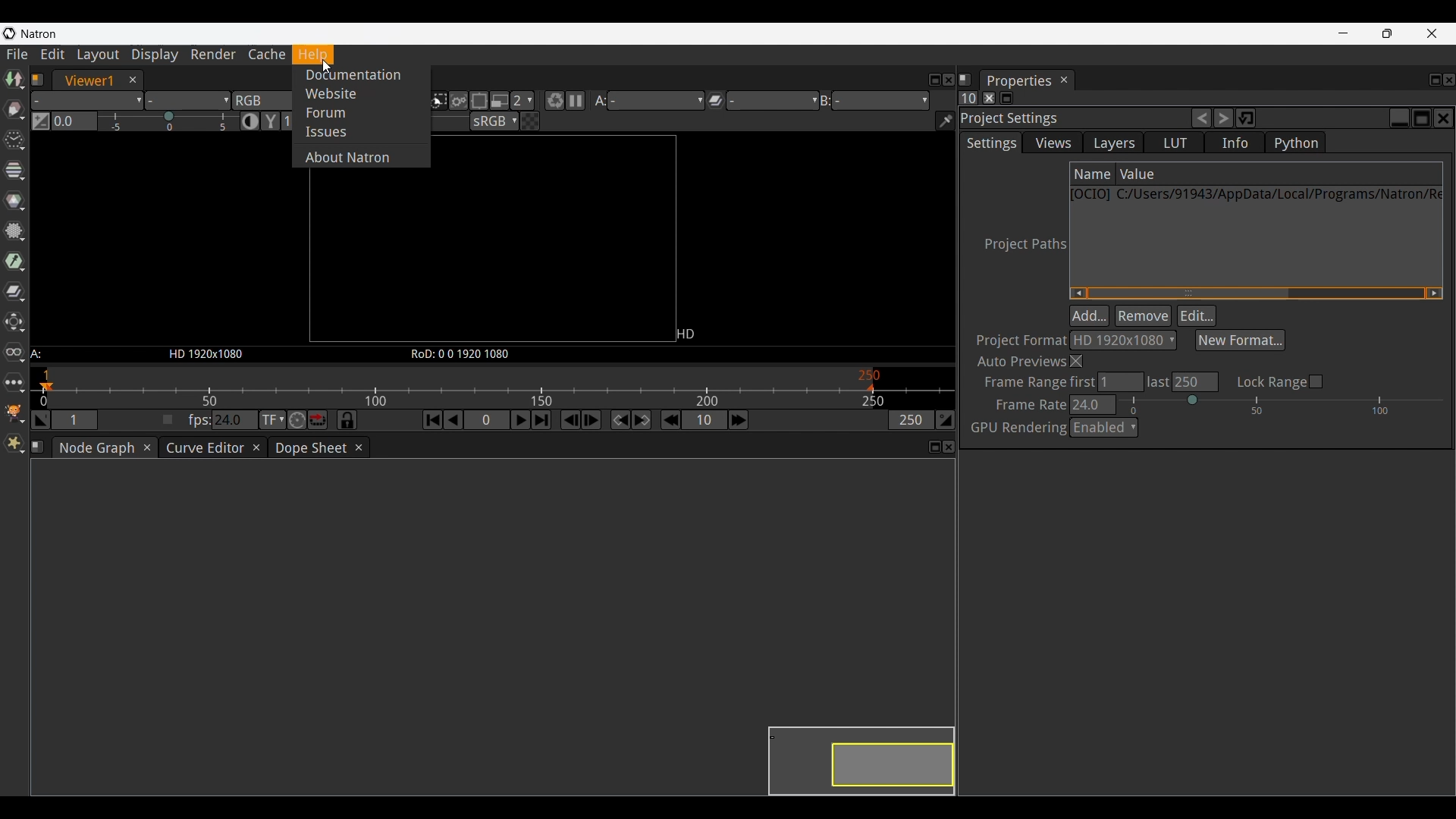  What do you see at coordinates (1089, 315) in the screenshot?
I see `Add` at bounding box center [1089, 315].